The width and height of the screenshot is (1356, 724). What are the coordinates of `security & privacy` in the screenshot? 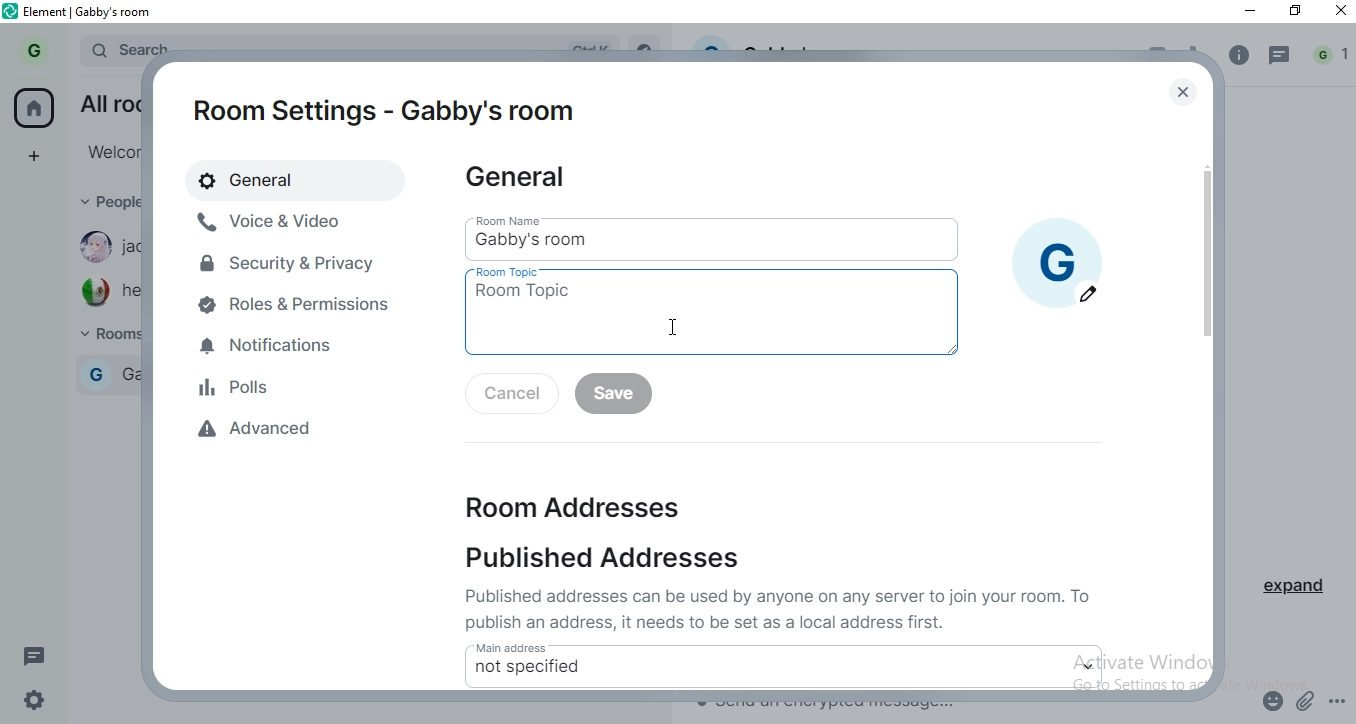 It's located at (289, 262).